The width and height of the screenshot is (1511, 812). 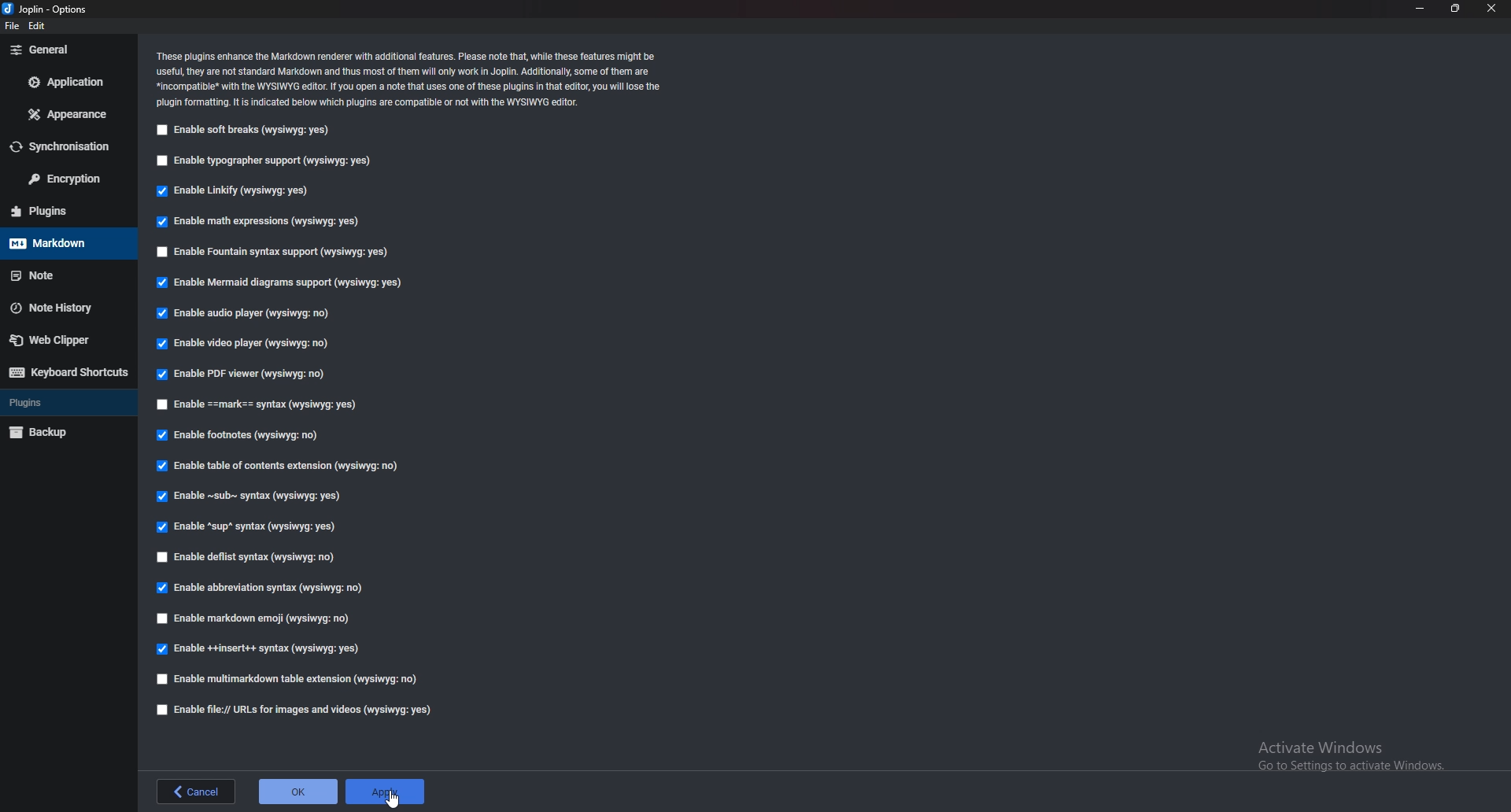 I want to click on Enable linkify, so click(x=236, y=192).